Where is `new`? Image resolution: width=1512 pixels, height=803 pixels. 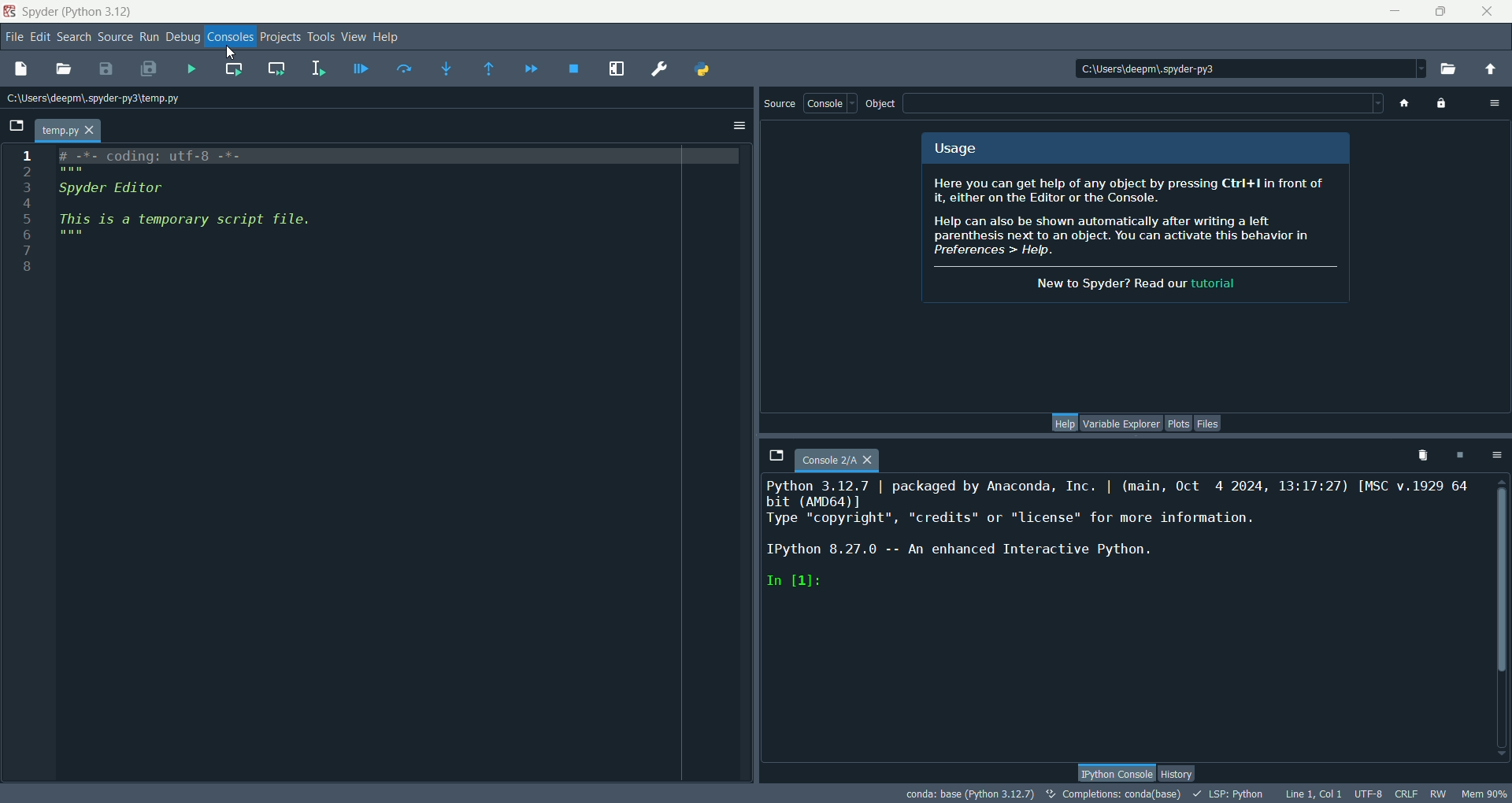
new is located at coordinates (23, 68).